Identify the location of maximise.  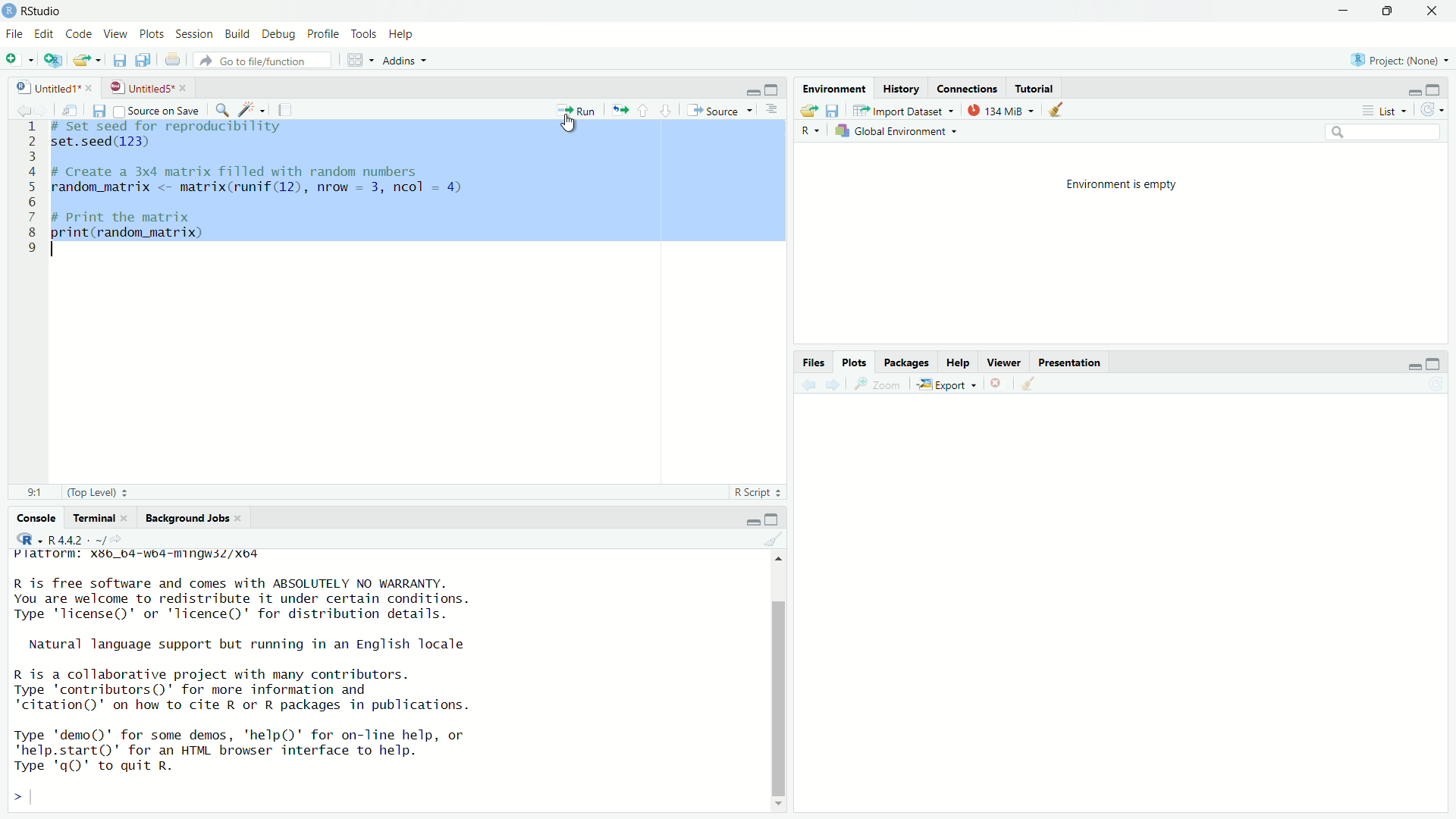
(773, 520).